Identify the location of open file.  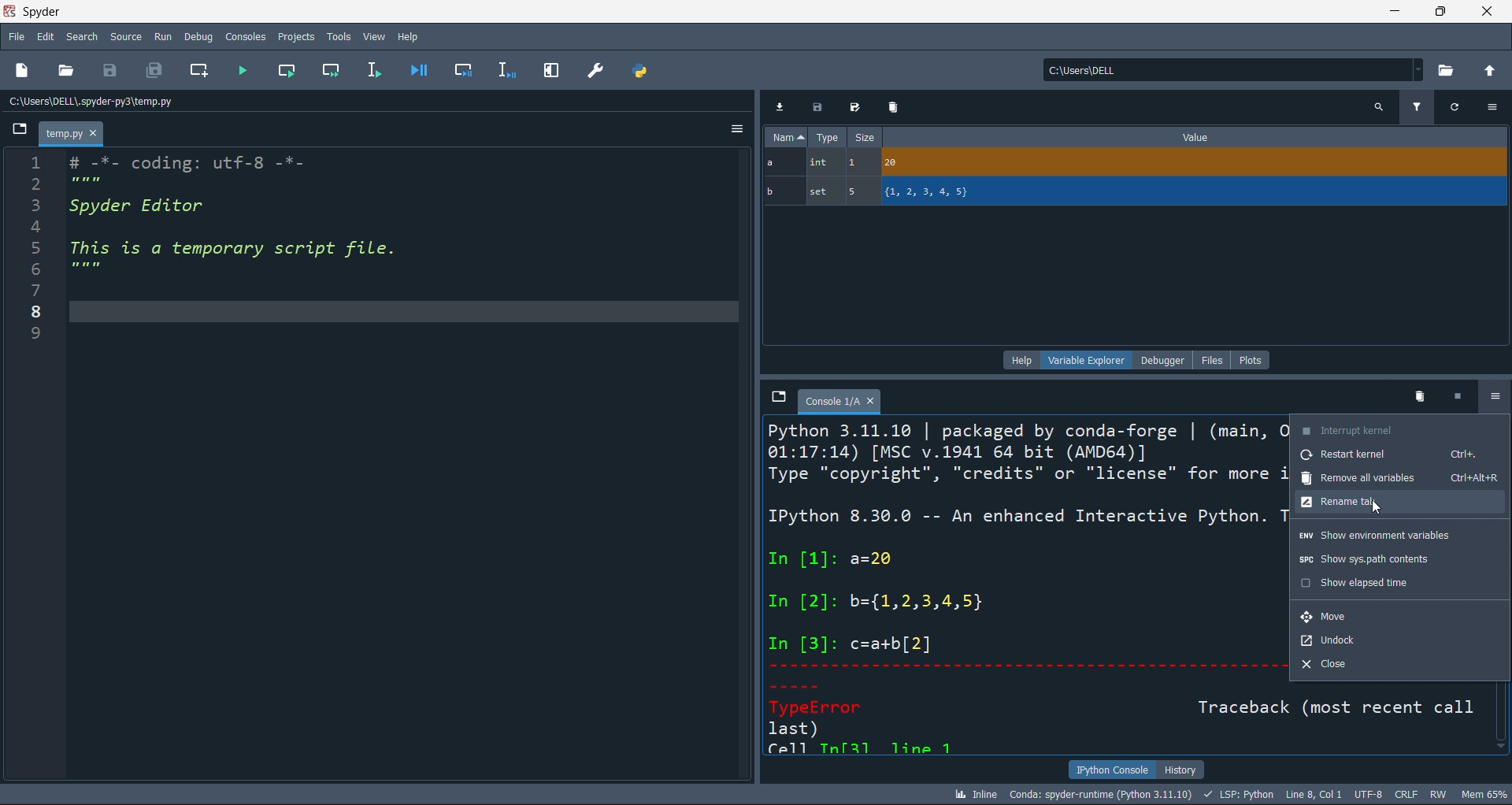
(69, 72).